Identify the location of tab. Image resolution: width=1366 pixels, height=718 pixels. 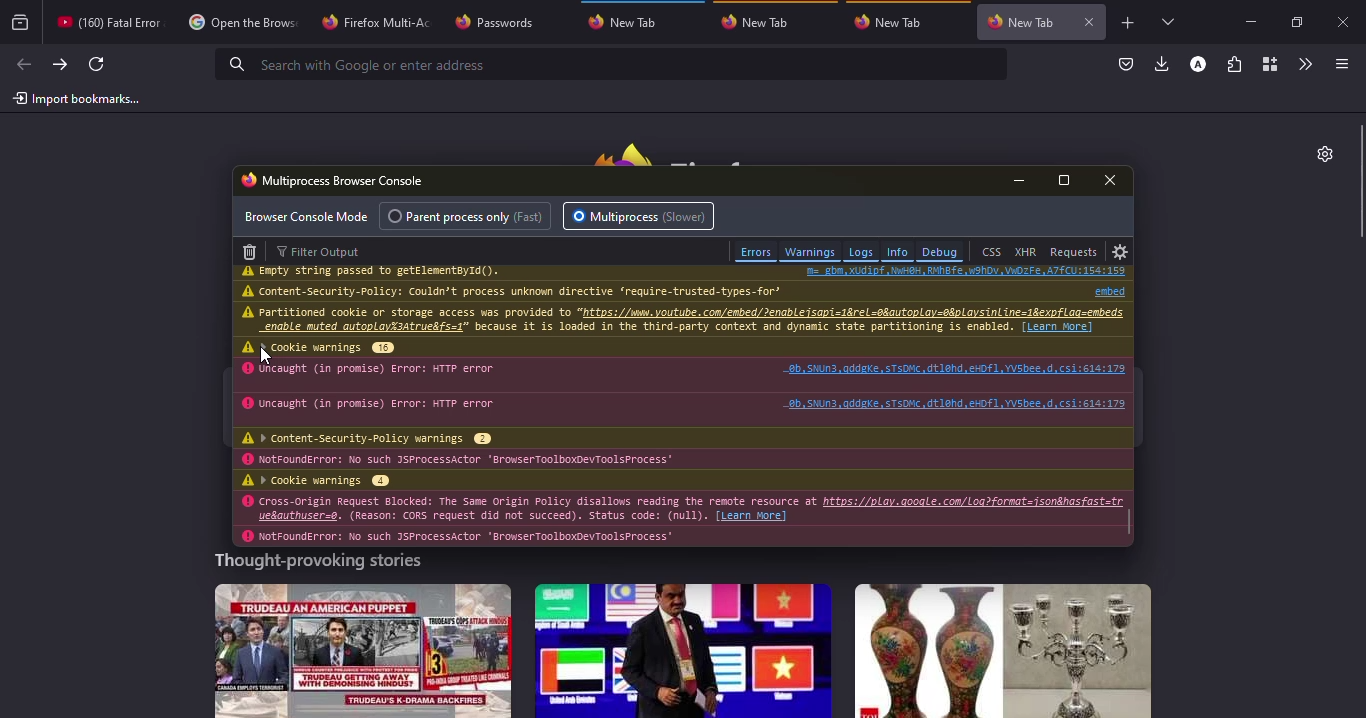
(375, 21).